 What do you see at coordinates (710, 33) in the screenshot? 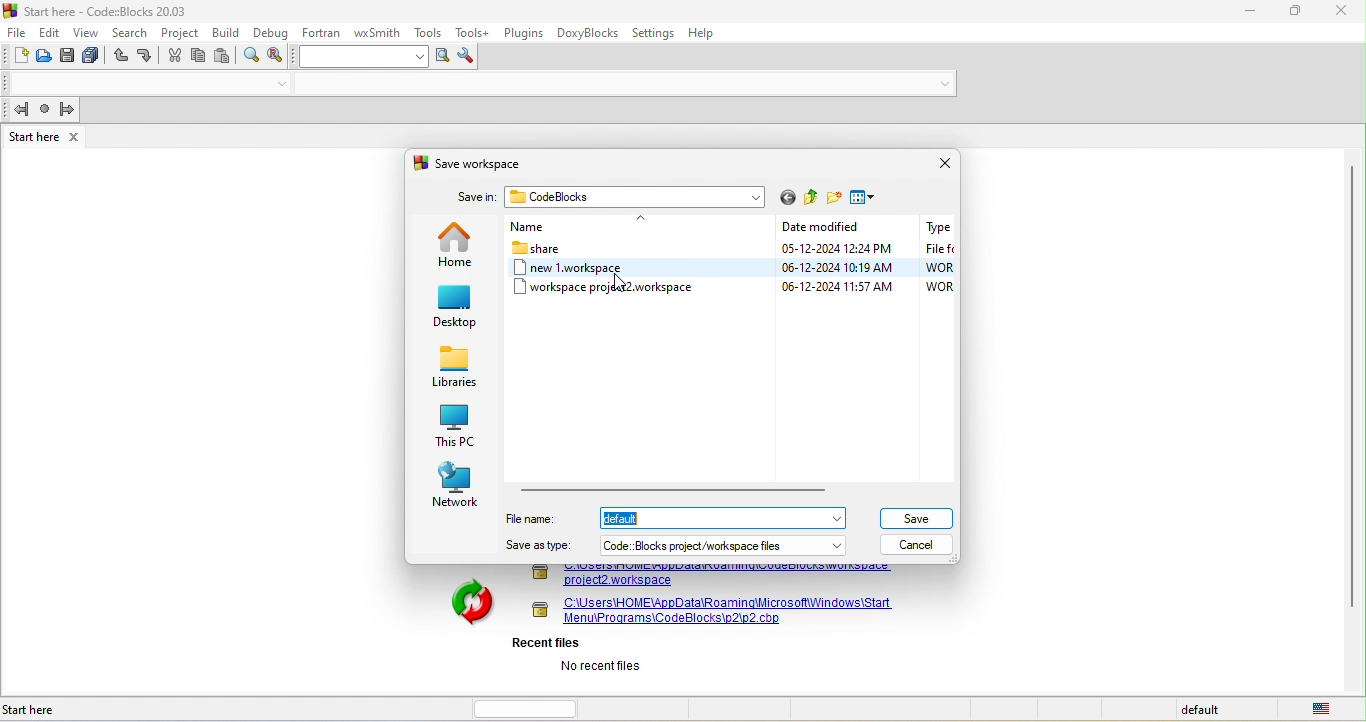
I see `help` at bounding box center [710, 33].